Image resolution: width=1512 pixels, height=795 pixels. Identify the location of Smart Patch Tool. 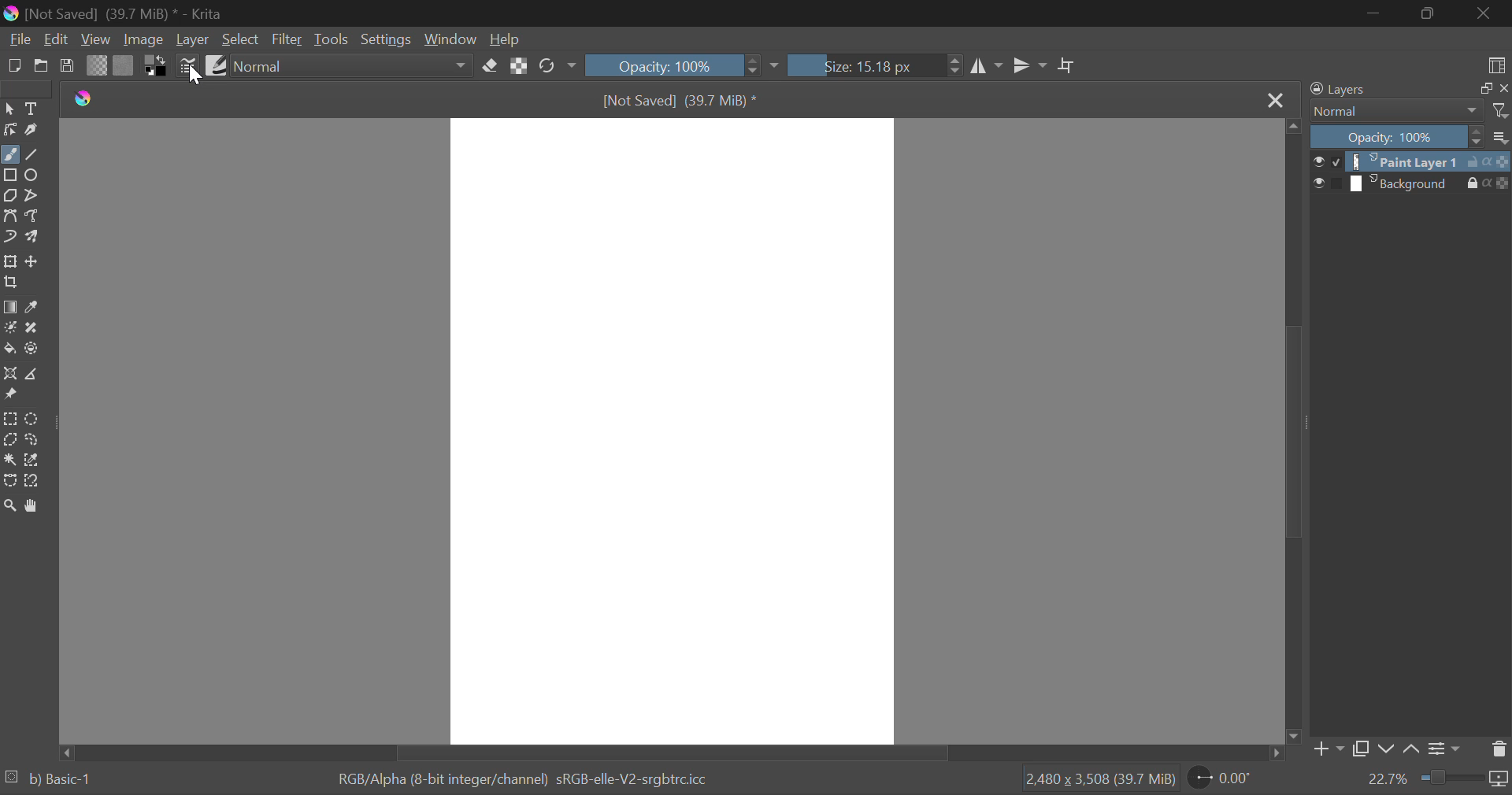
(33, 327).